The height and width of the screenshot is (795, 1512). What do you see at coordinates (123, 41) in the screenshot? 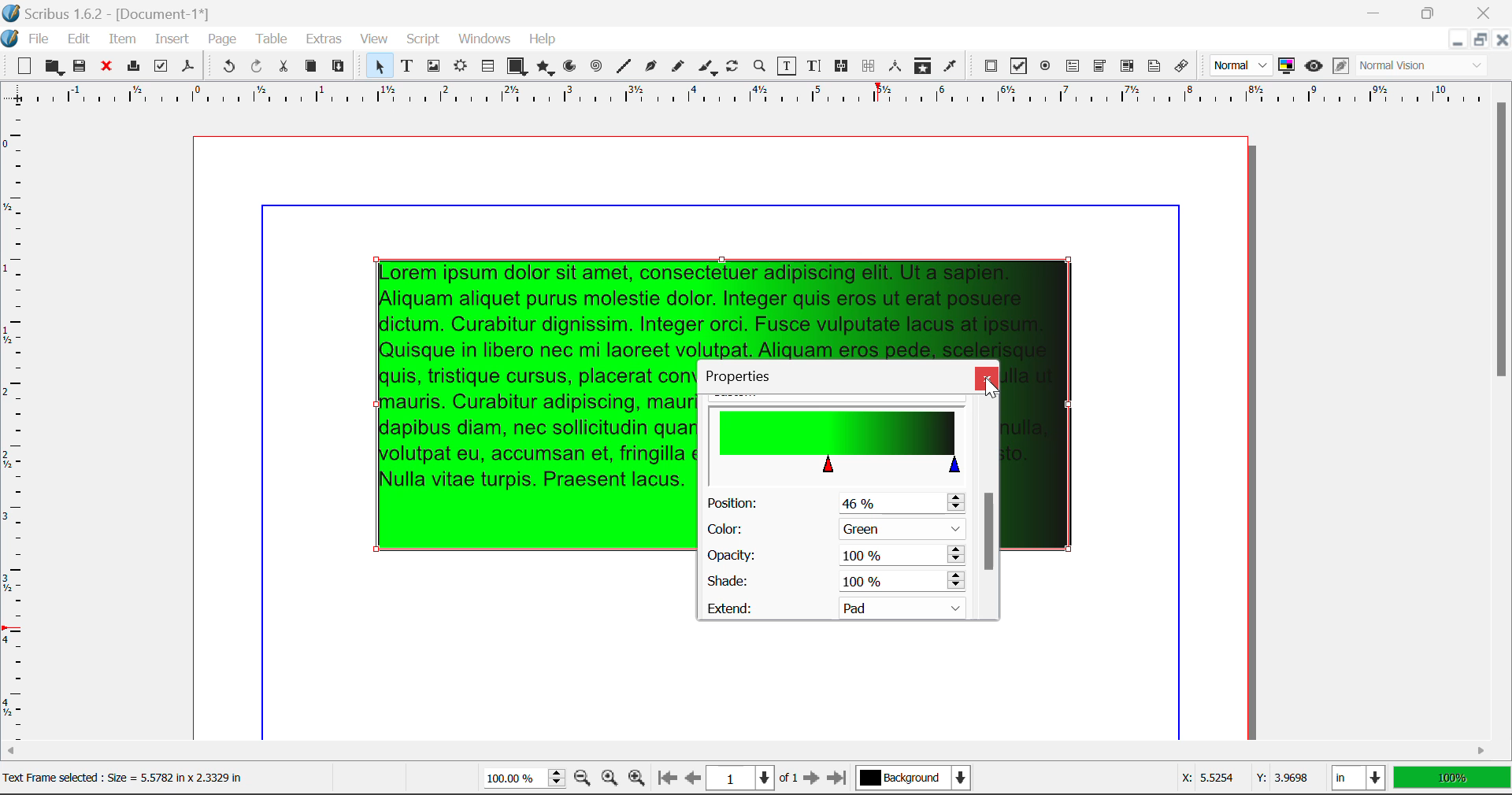
I see `Item` at bounding box center [123, 41].